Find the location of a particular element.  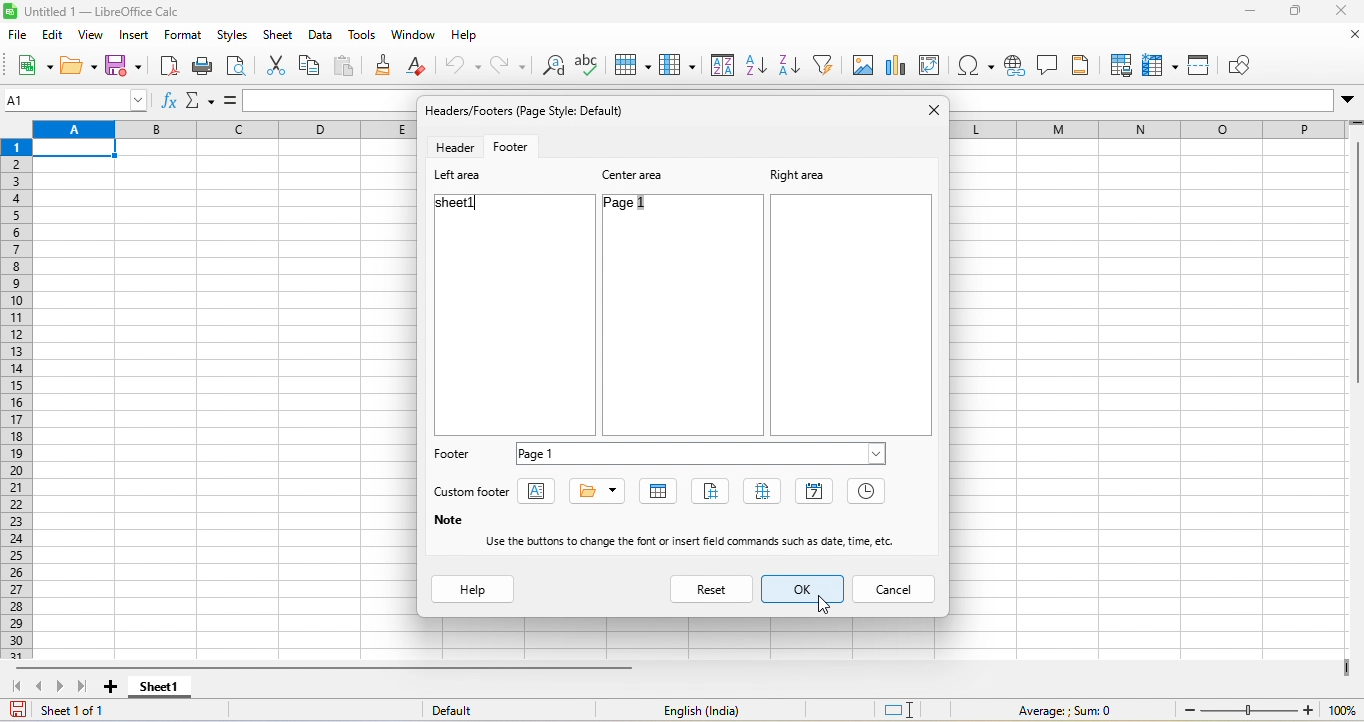

add sheet is located at coordinates (114, 687).